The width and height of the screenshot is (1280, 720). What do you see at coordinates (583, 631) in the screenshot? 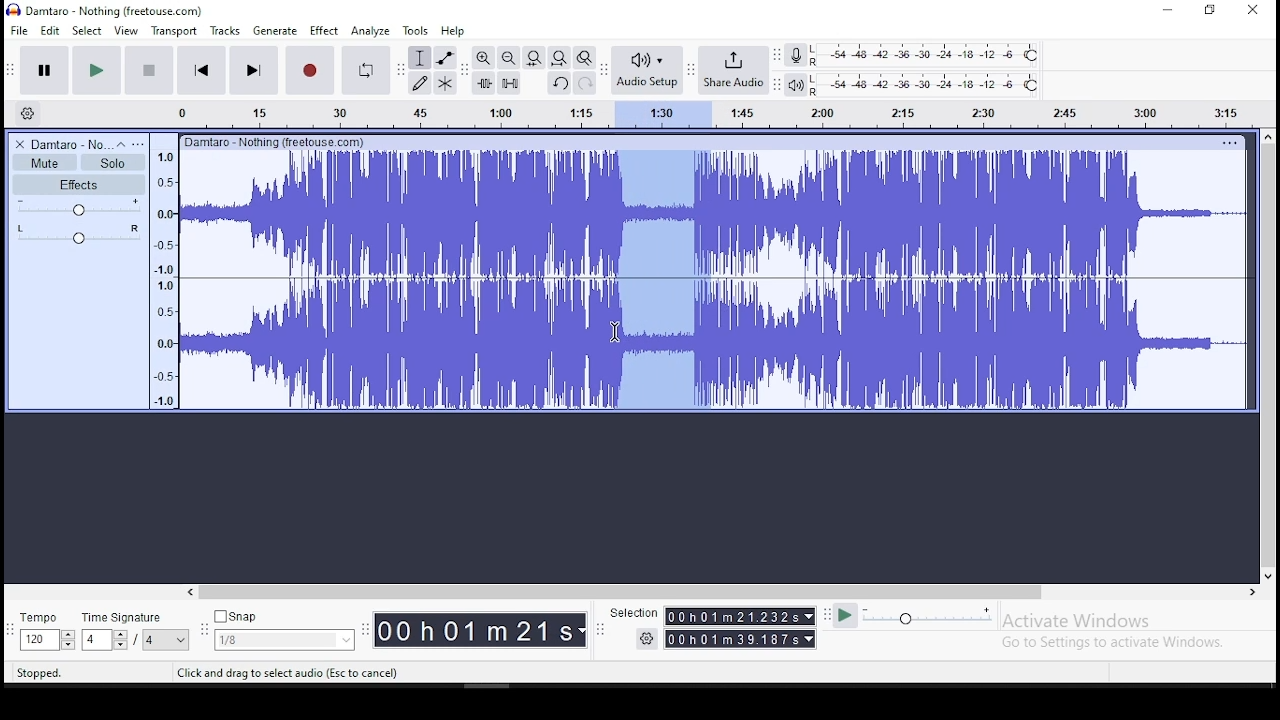
I see `drop down` at bounding box center [583, 631].